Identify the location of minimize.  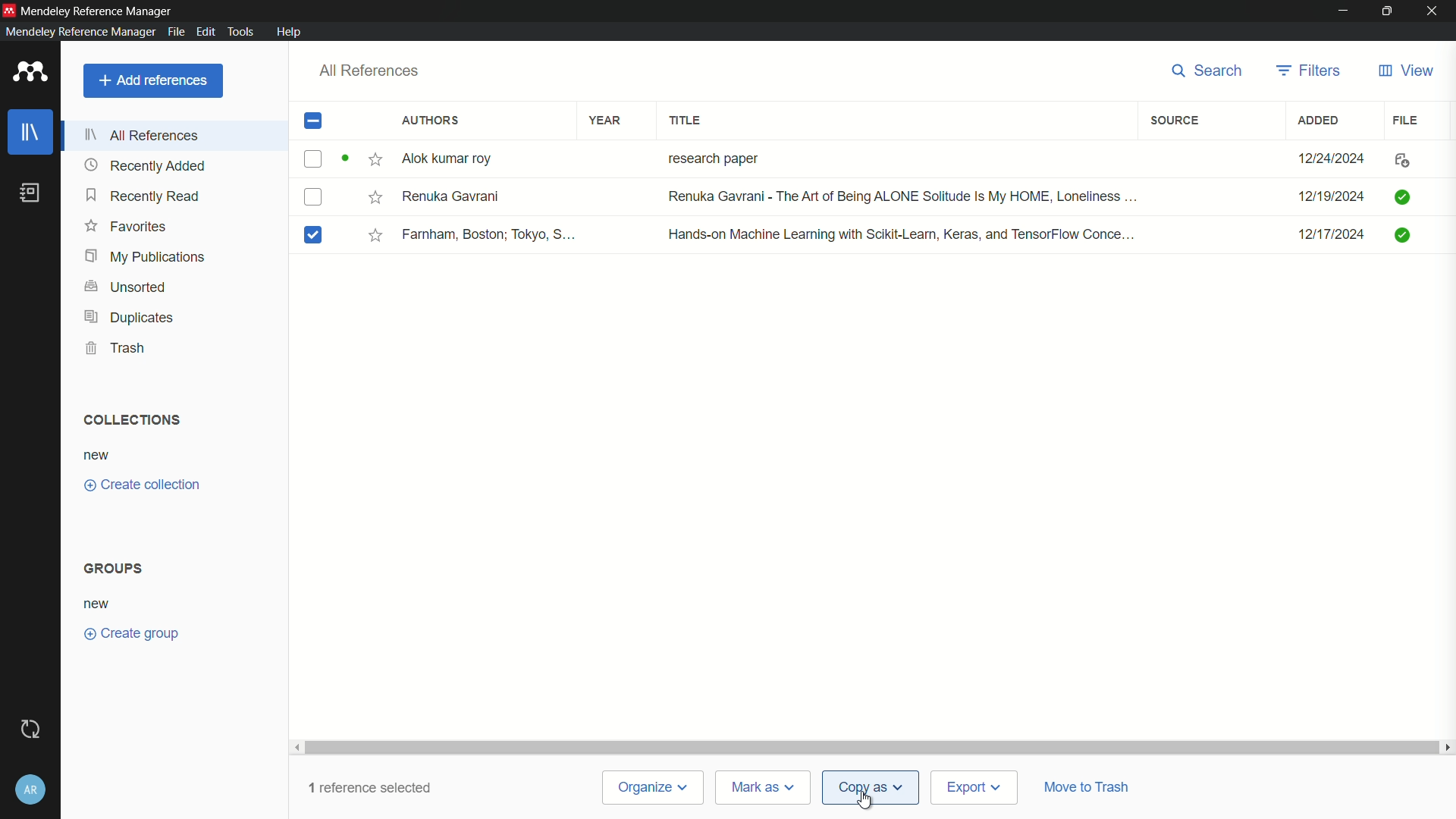
(1341, 10).